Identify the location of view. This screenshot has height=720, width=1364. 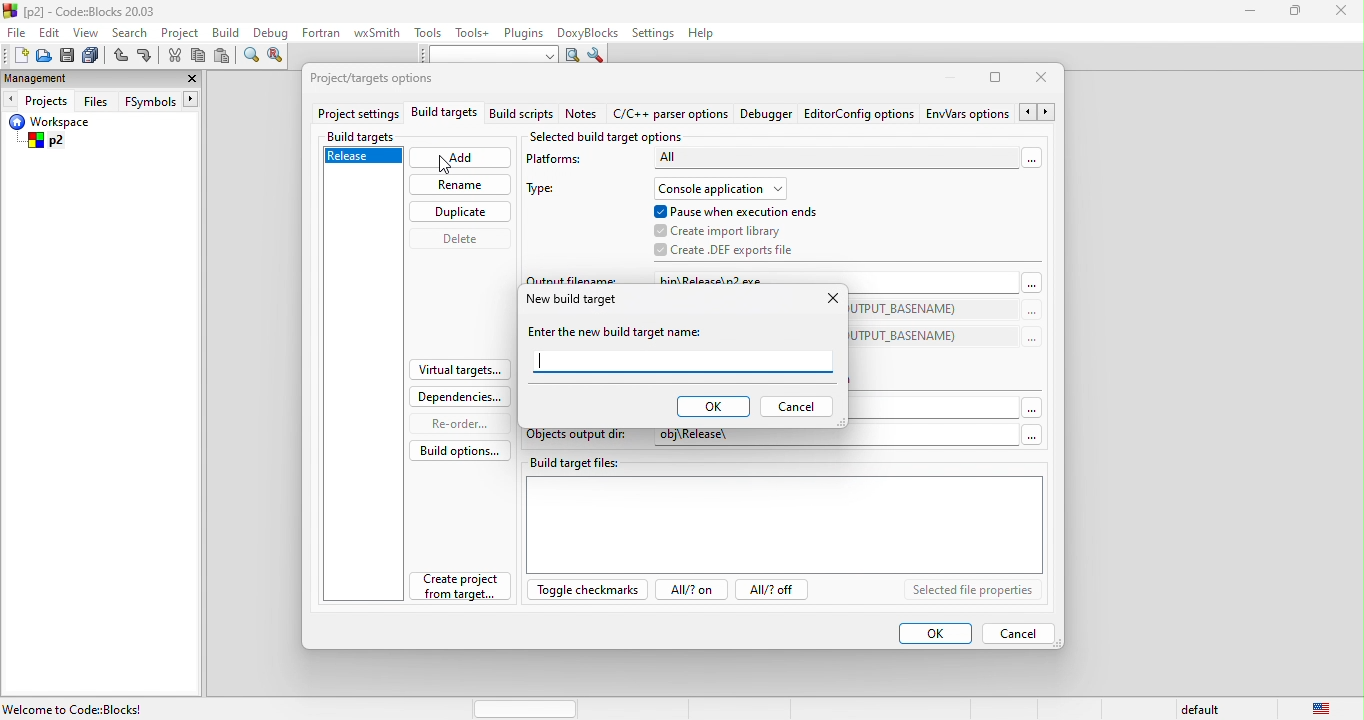
(87, 32).